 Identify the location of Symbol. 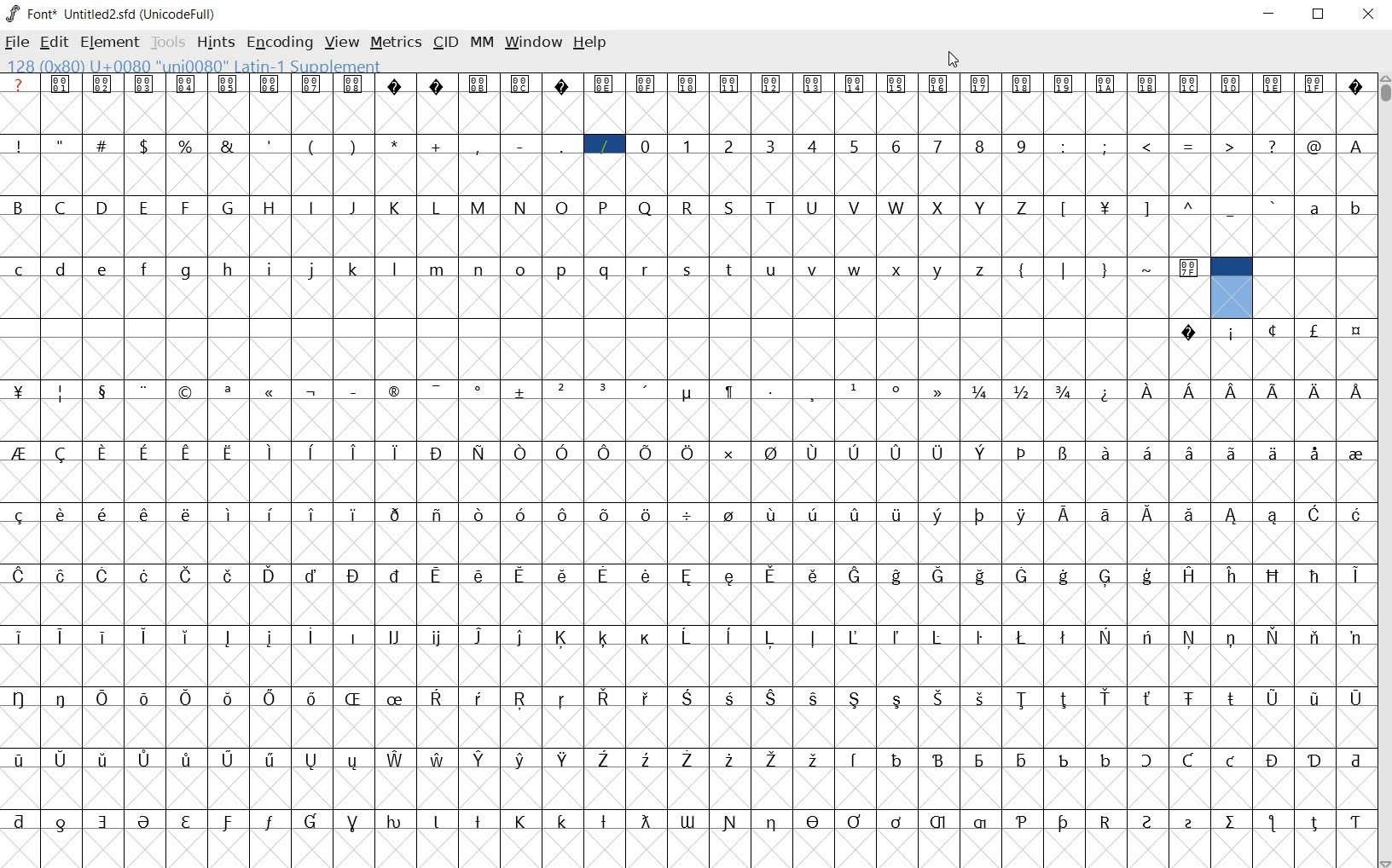
(105, 391).